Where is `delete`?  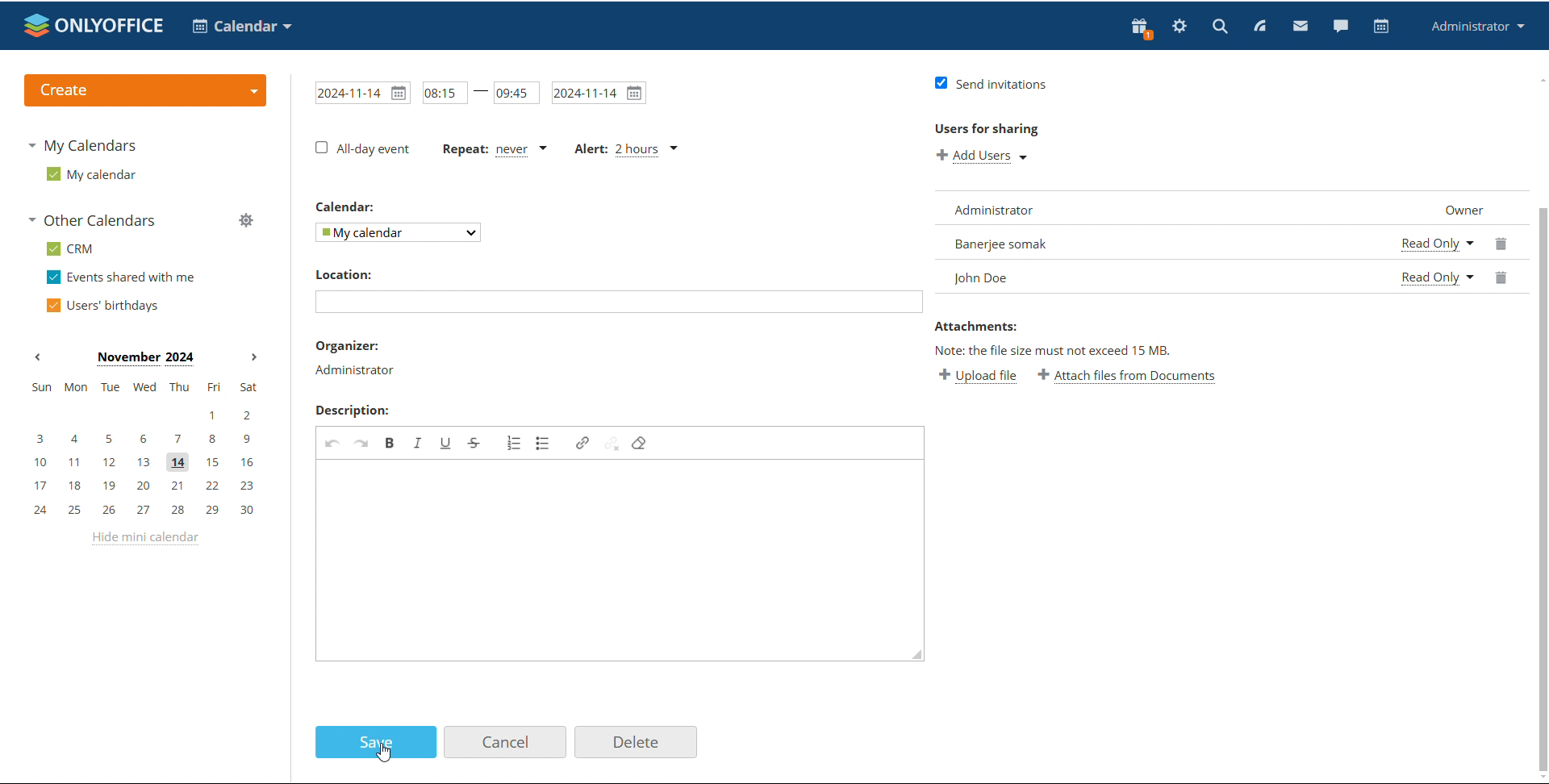
delete is located at coordinates (638, 743).